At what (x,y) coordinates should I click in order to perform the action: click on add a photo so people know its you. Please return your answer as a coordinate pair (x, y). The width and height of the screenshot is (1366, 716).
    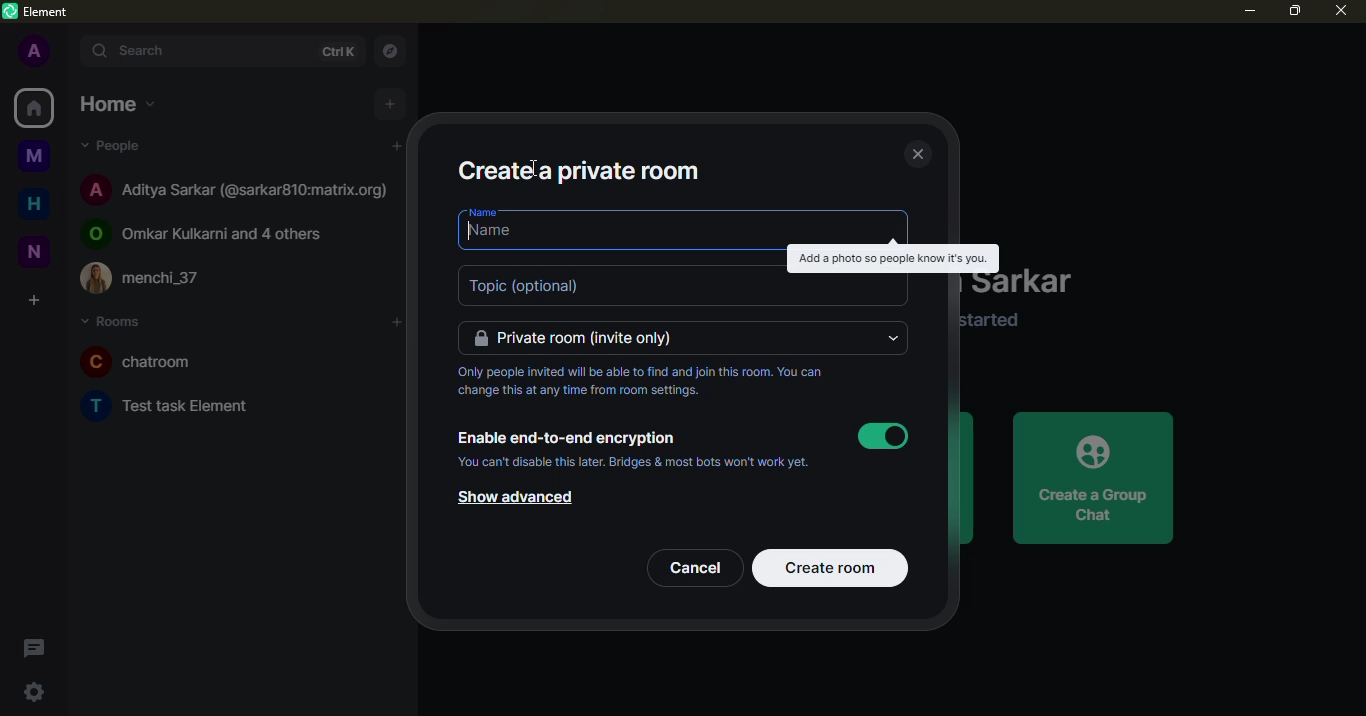
    Looking at the image, I should click on (892, 258).